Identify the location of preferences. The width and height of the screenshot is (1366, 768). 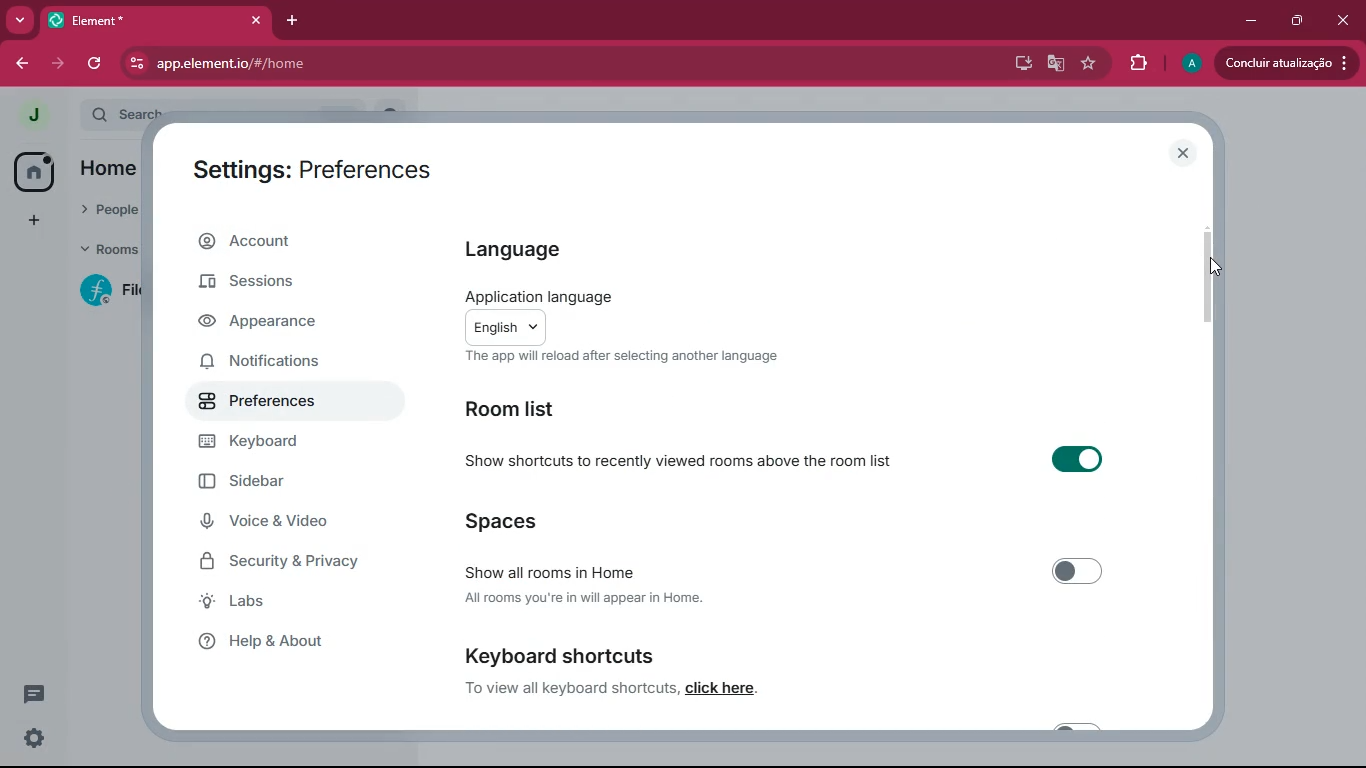
(261, 401).